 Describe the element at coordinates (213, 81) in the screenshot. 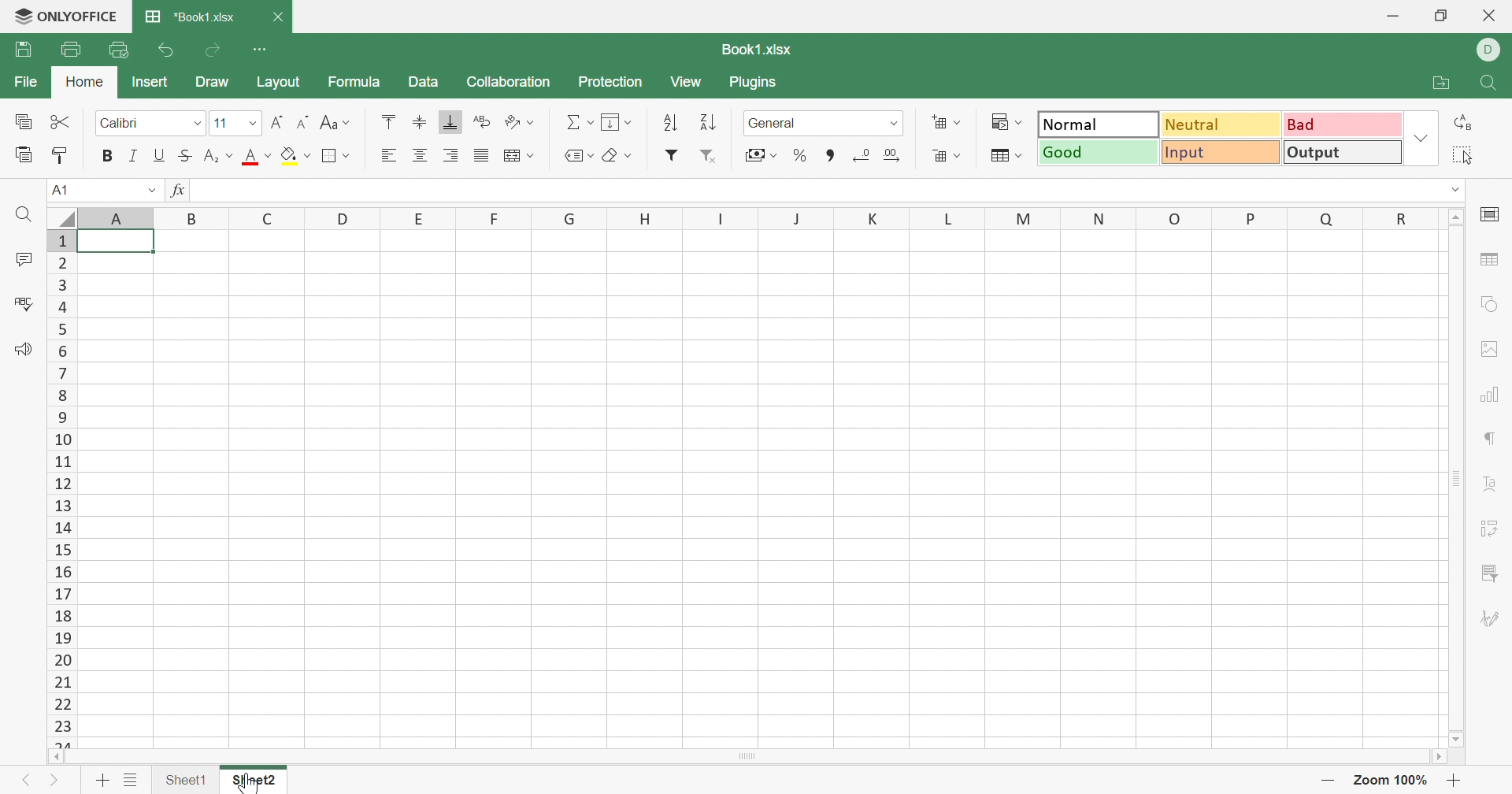

I see `Draw` at that location.